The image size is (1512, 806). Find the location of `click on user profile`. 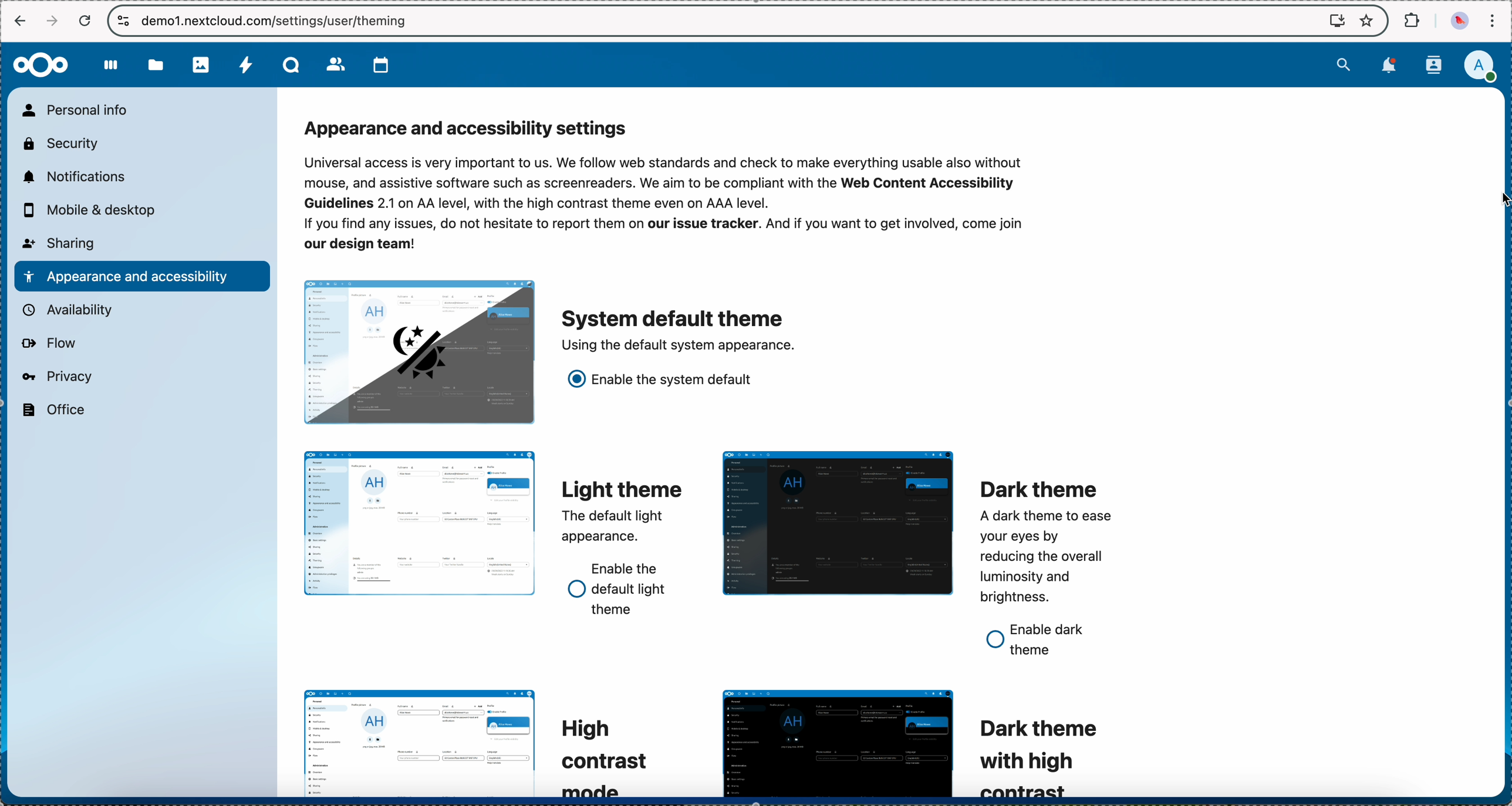

click on user profile is located at coordinates (1479, 67).